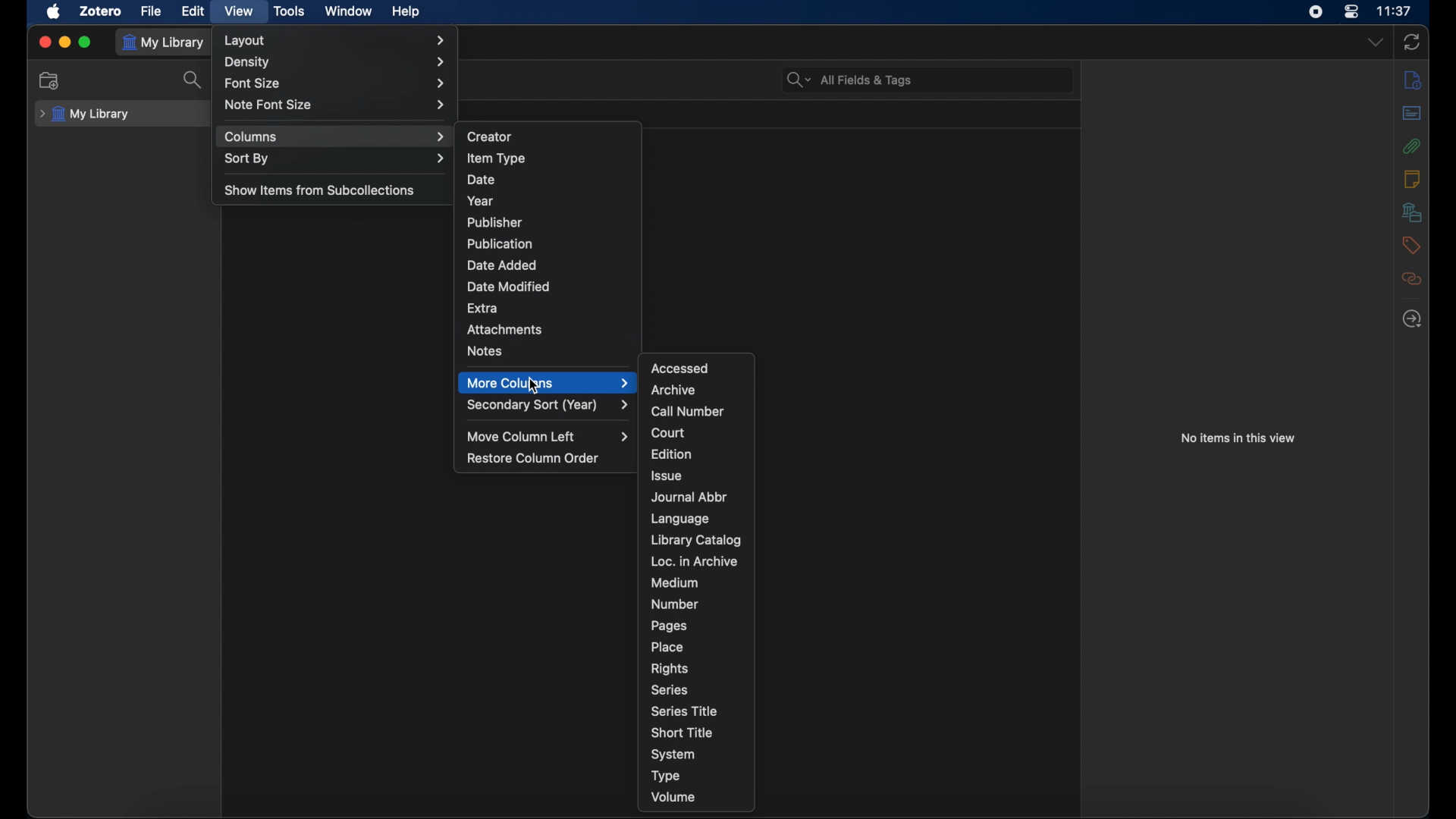 The image size is (1456, 819). What do you see at coordinates (682, 731) in the screenshot?
I see `short title` at bounding box center [682, 731].